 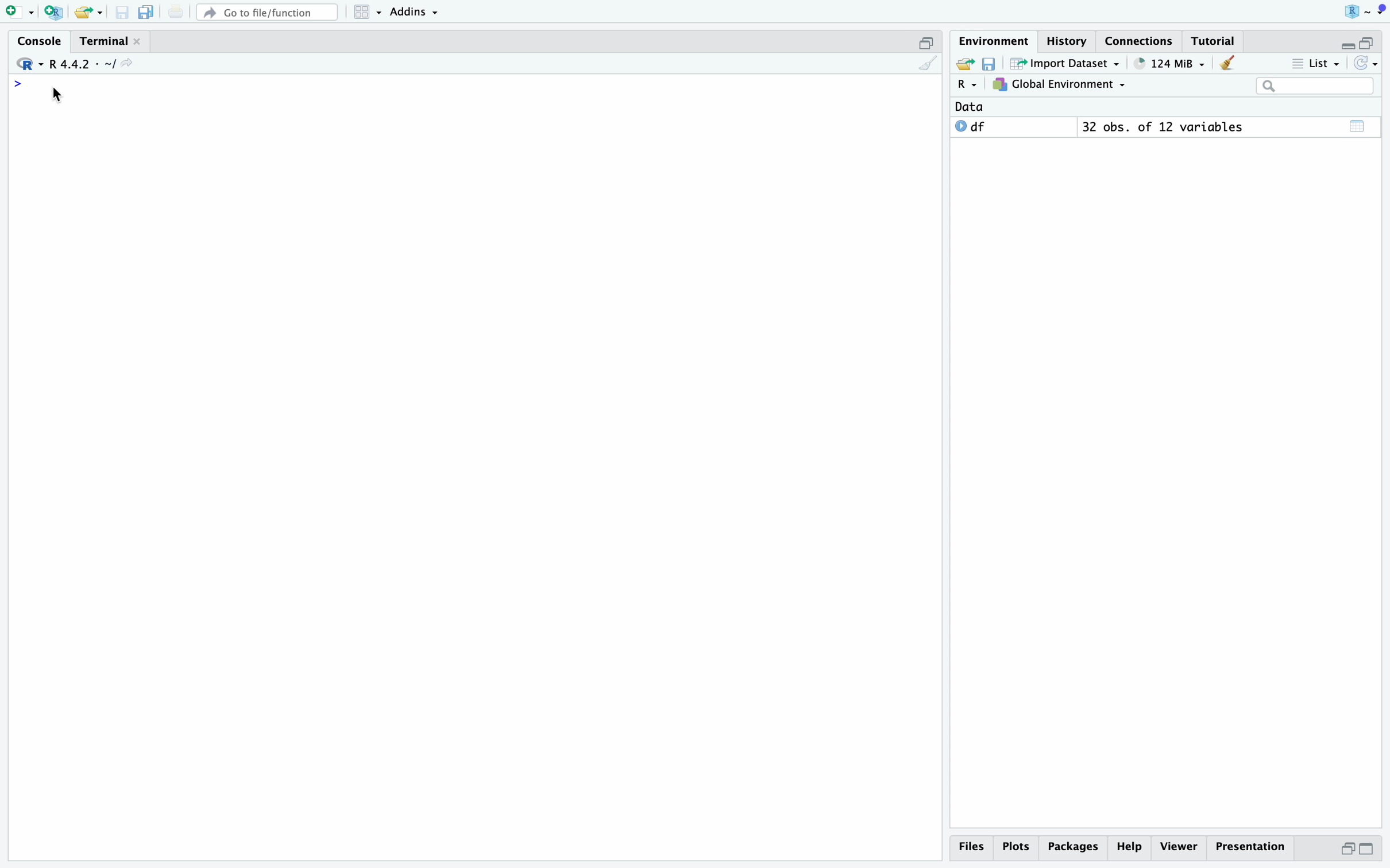 What do you see at coordinates (369, 13) in the screenshot?
I see `grid` at bounding box center [369, 13].